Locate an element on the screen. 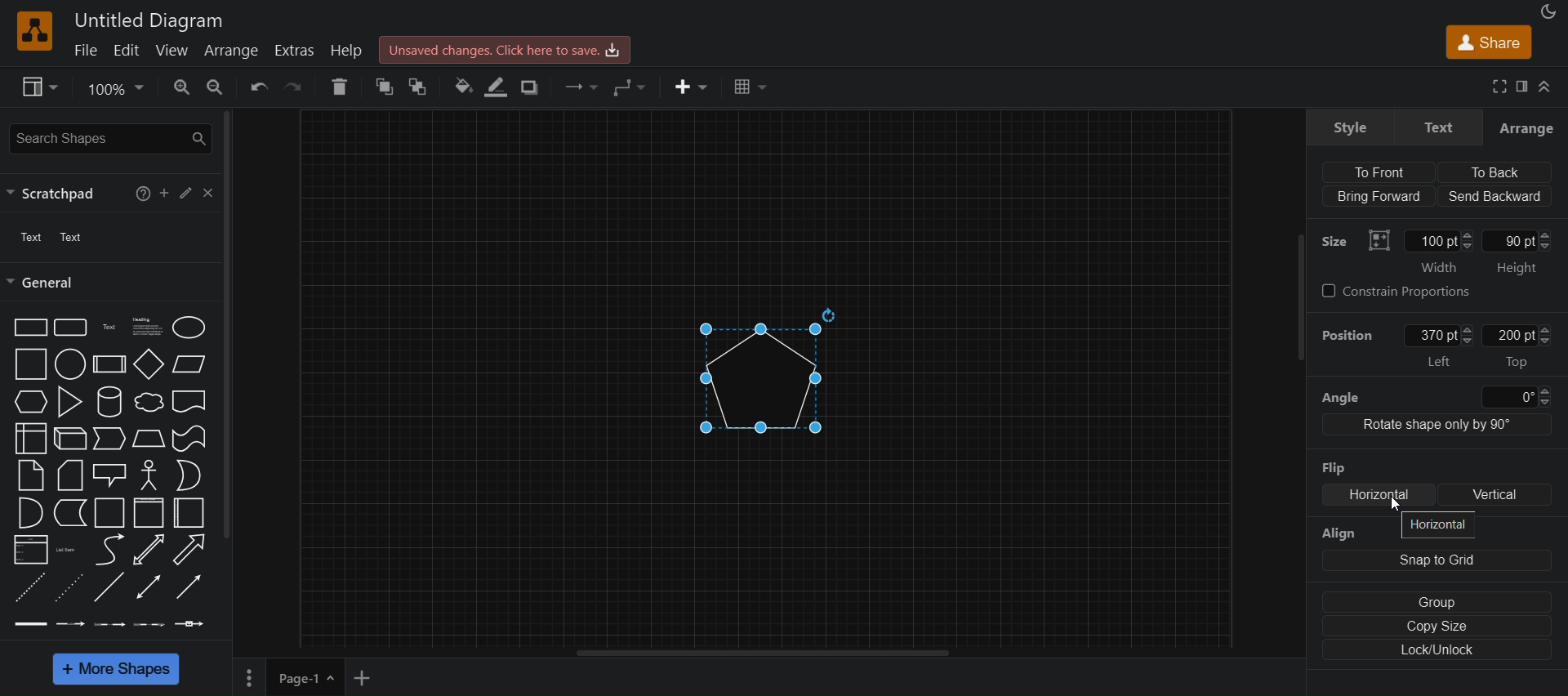 The width and height of the screenshot is (1568, 696). Rotate is located at coordinates (829, 315).